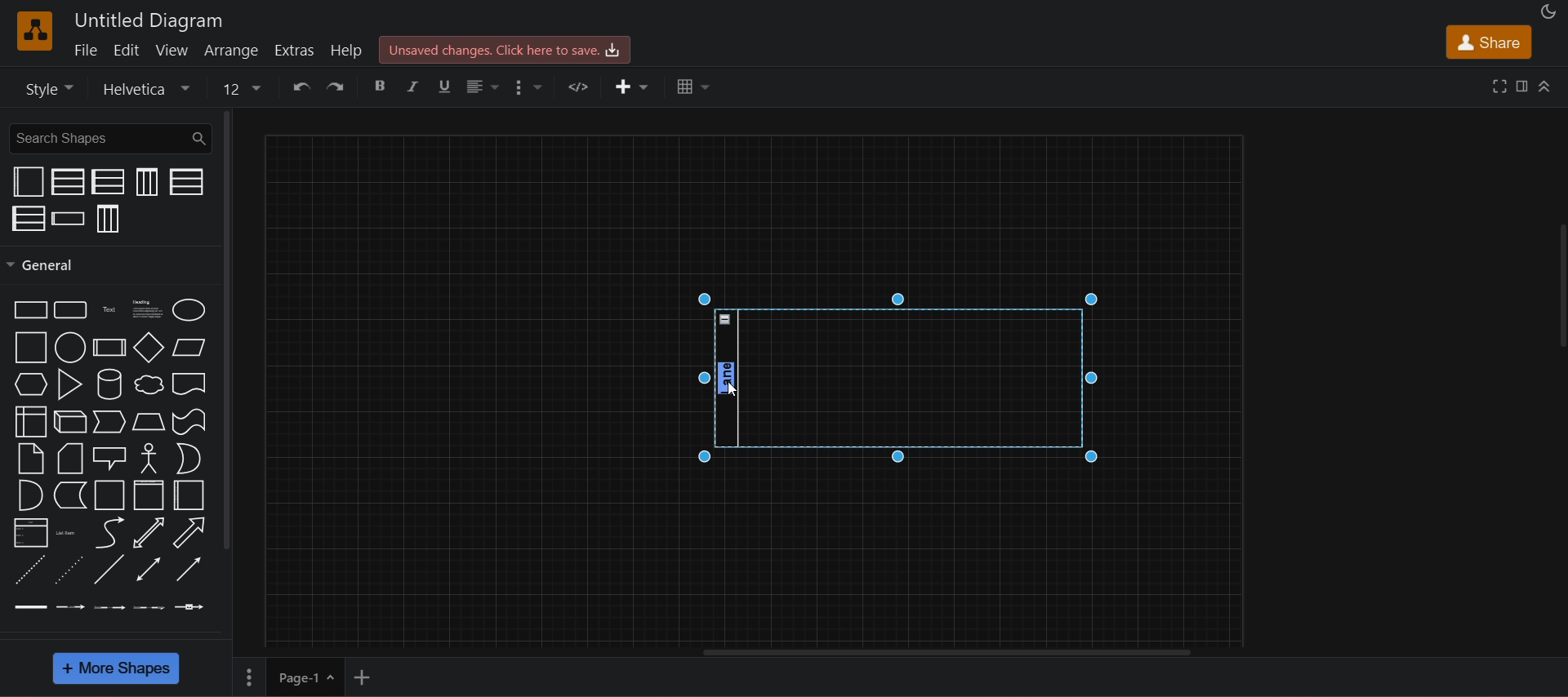 This screenshot has width=1568, height=697. I want to click on container, so click(107, 496).